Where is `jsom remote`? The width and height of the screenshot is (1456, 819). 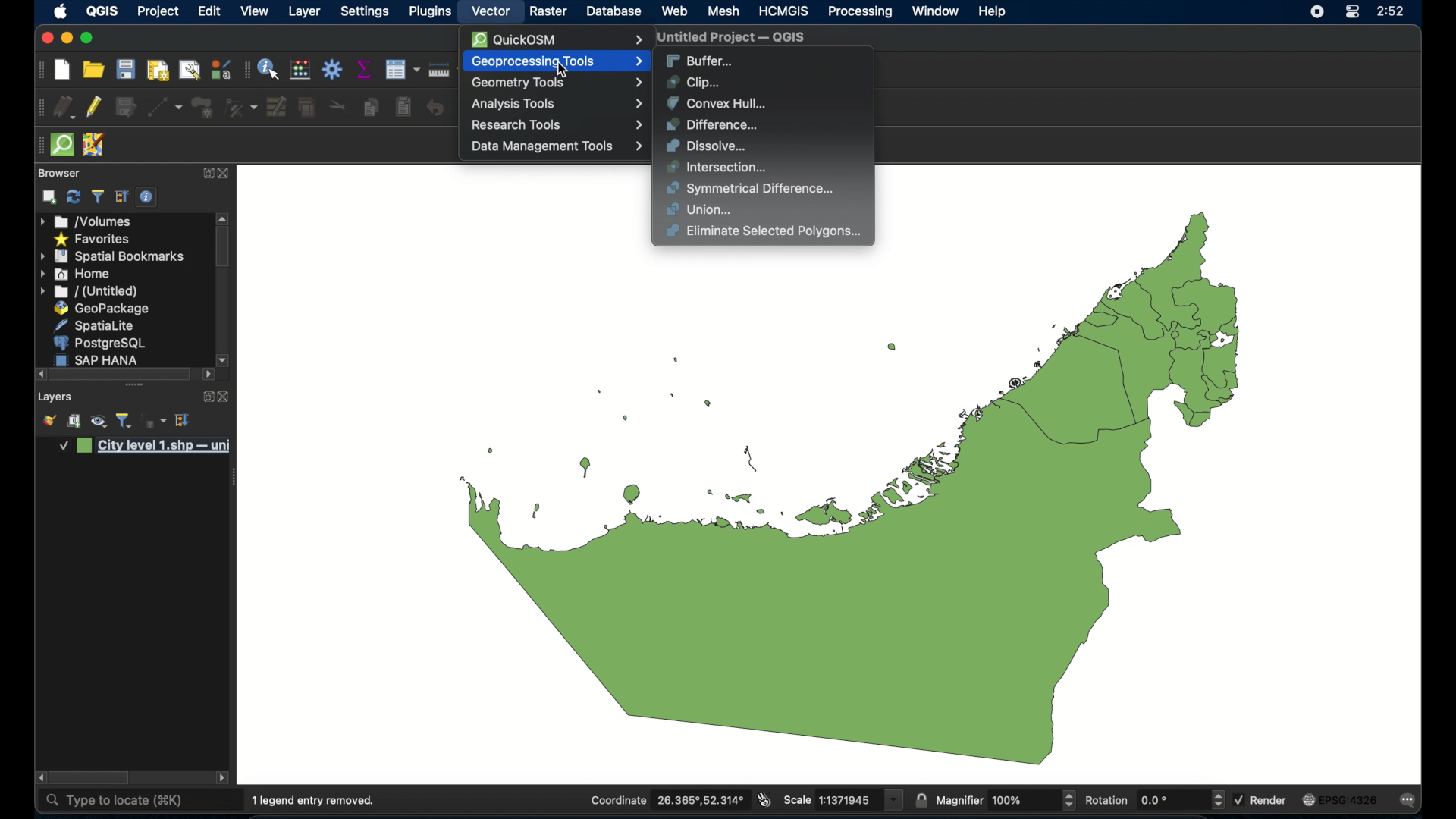 jsom remote is located at coordinates (95, 145).